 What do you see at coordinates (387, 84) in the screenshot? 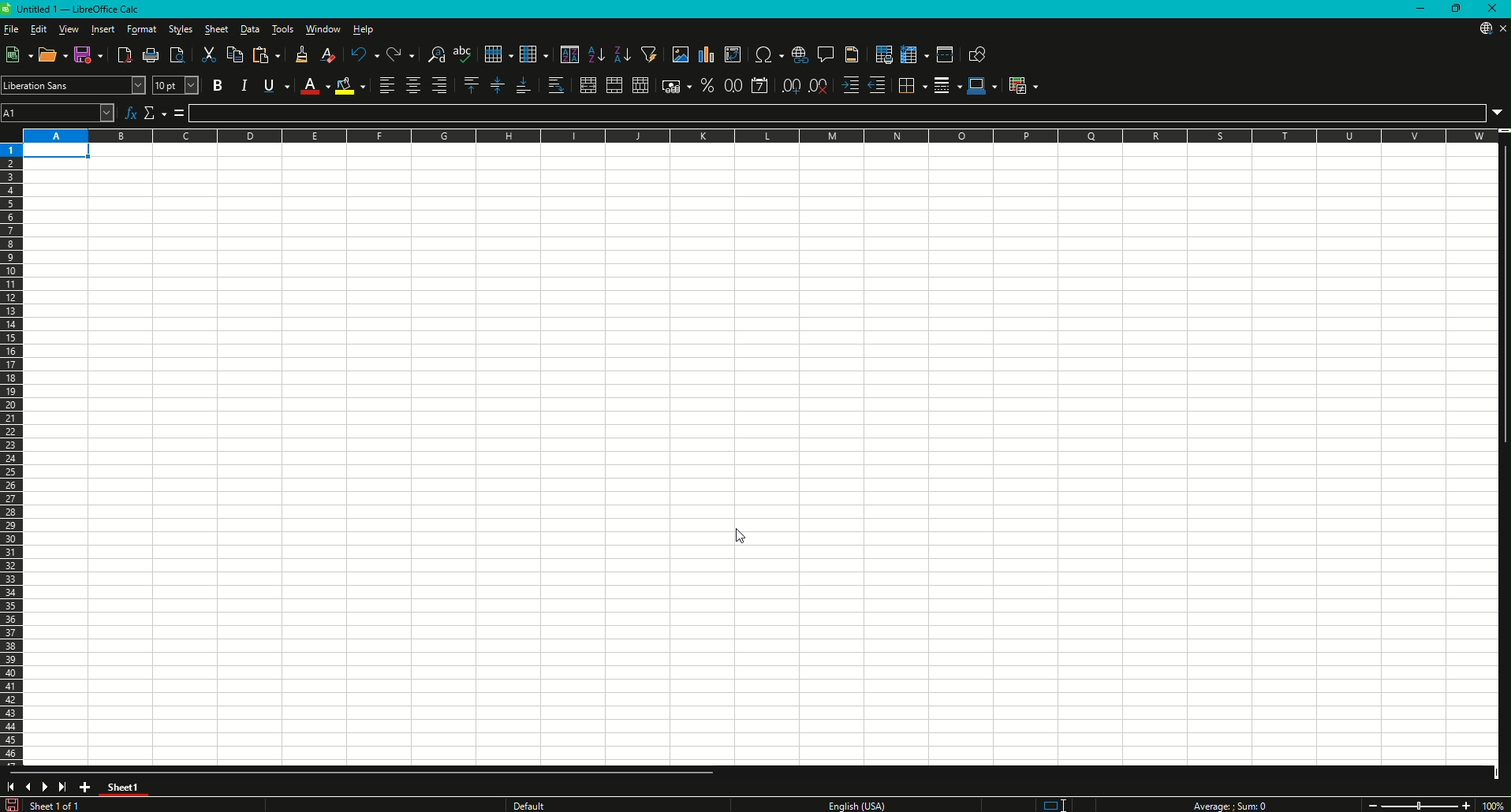
I see `Align Left` at bounding box center [387, 84].